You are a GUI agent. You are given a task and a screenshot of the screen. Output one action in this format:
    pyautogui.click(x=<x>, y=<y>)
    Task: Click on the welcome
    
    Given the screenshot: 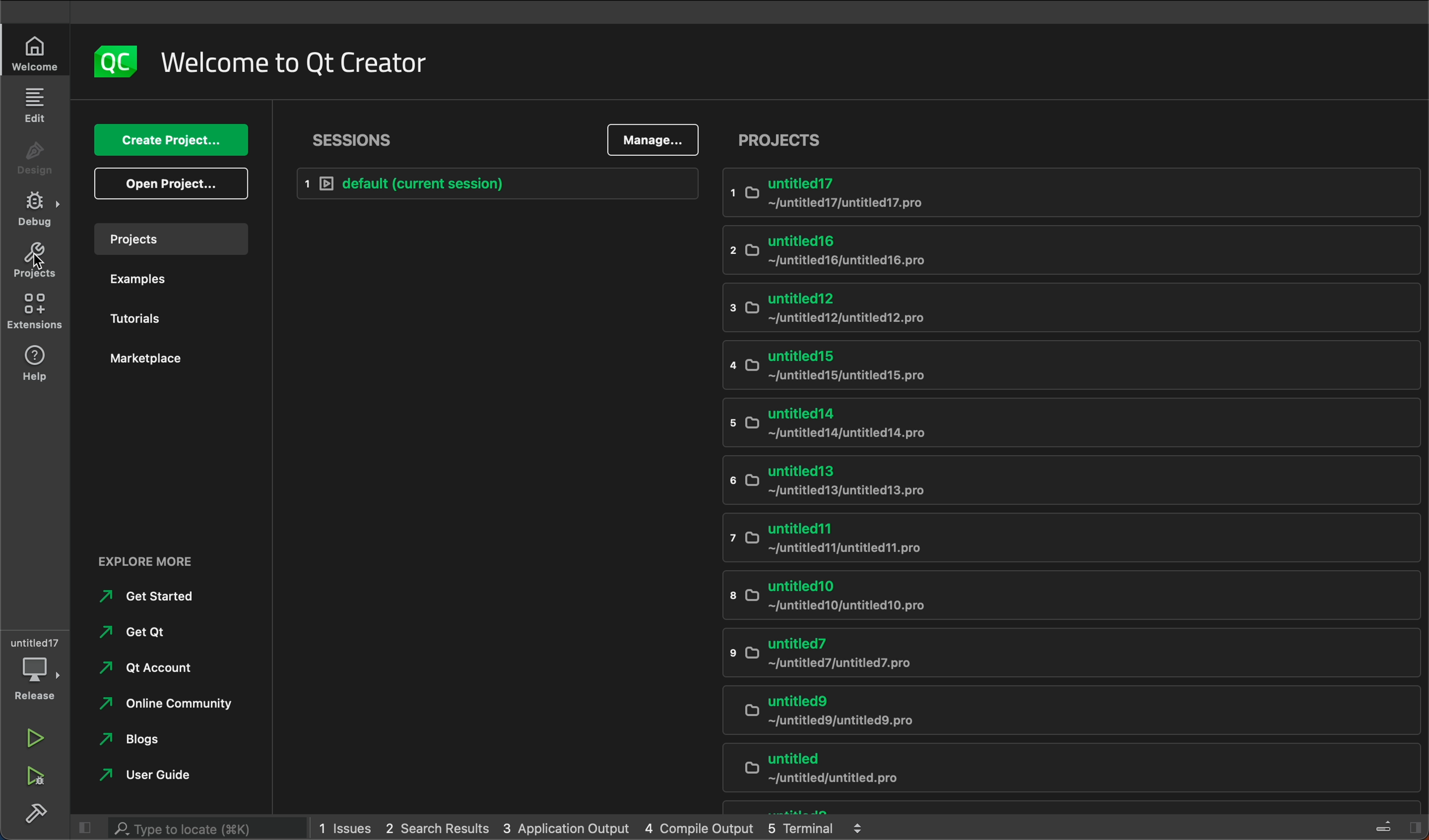 What is the action you would take?
    pyautogui.click(x=313, y=59)
    